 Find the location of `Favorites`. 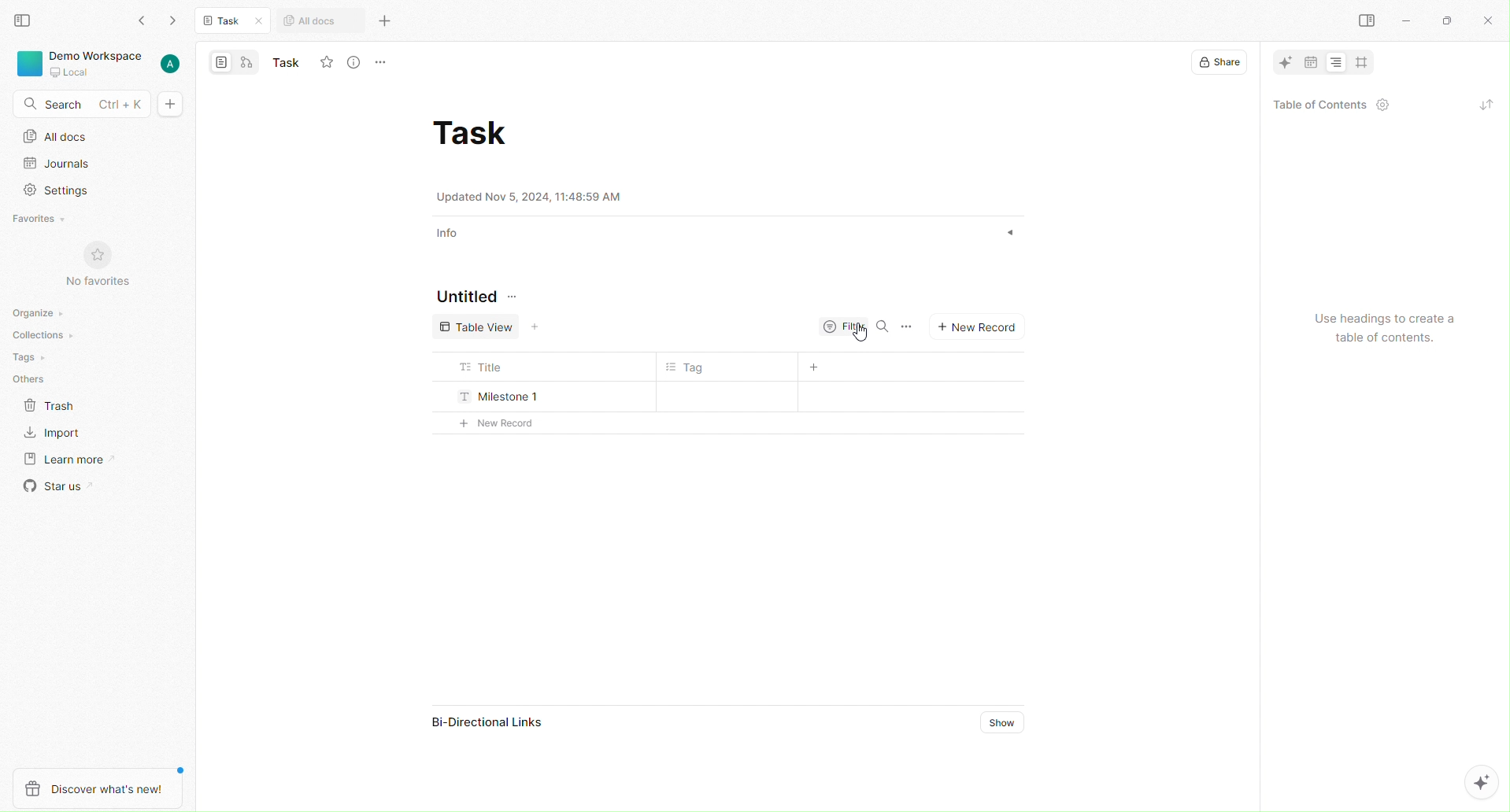

Favorites is located at coordinates (43, 219).